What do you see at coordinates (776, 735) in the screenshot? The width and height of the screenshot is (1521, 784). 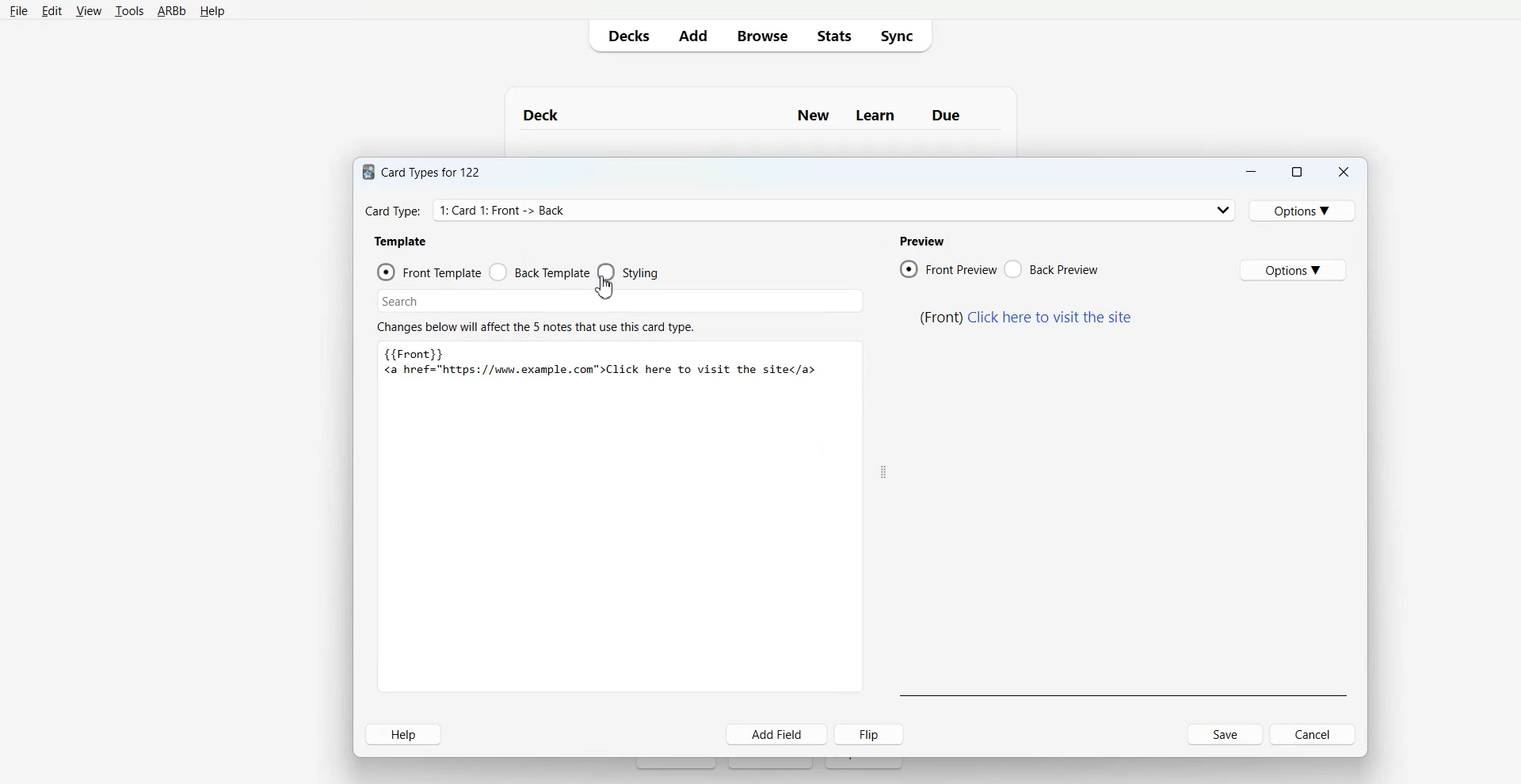 I see `Add Field` at bounding box center [776, 735].